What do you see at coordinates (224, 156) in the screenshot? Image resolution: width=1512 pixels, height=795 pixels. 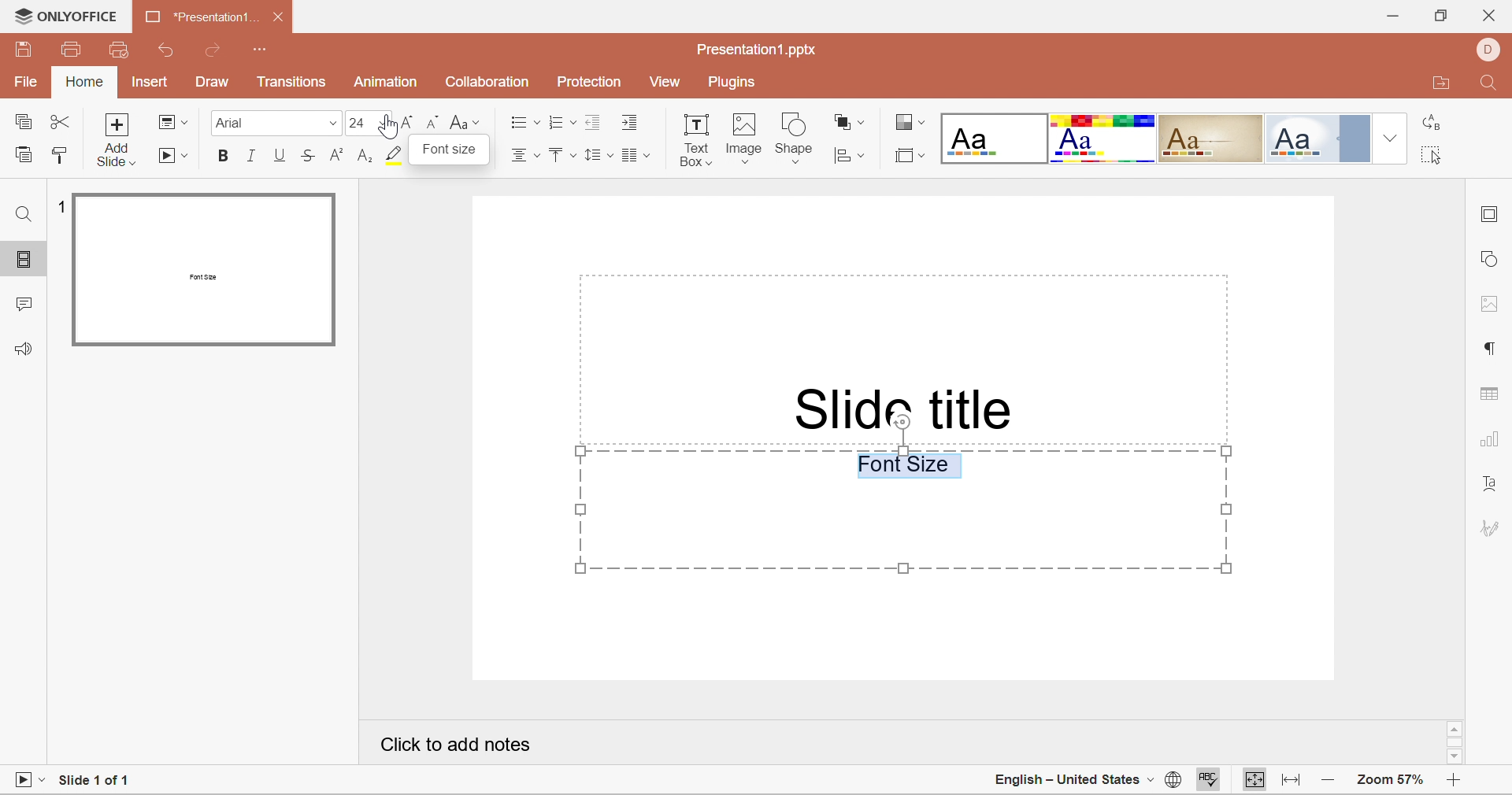 I see `Bold` at bounding box center [224, 156].